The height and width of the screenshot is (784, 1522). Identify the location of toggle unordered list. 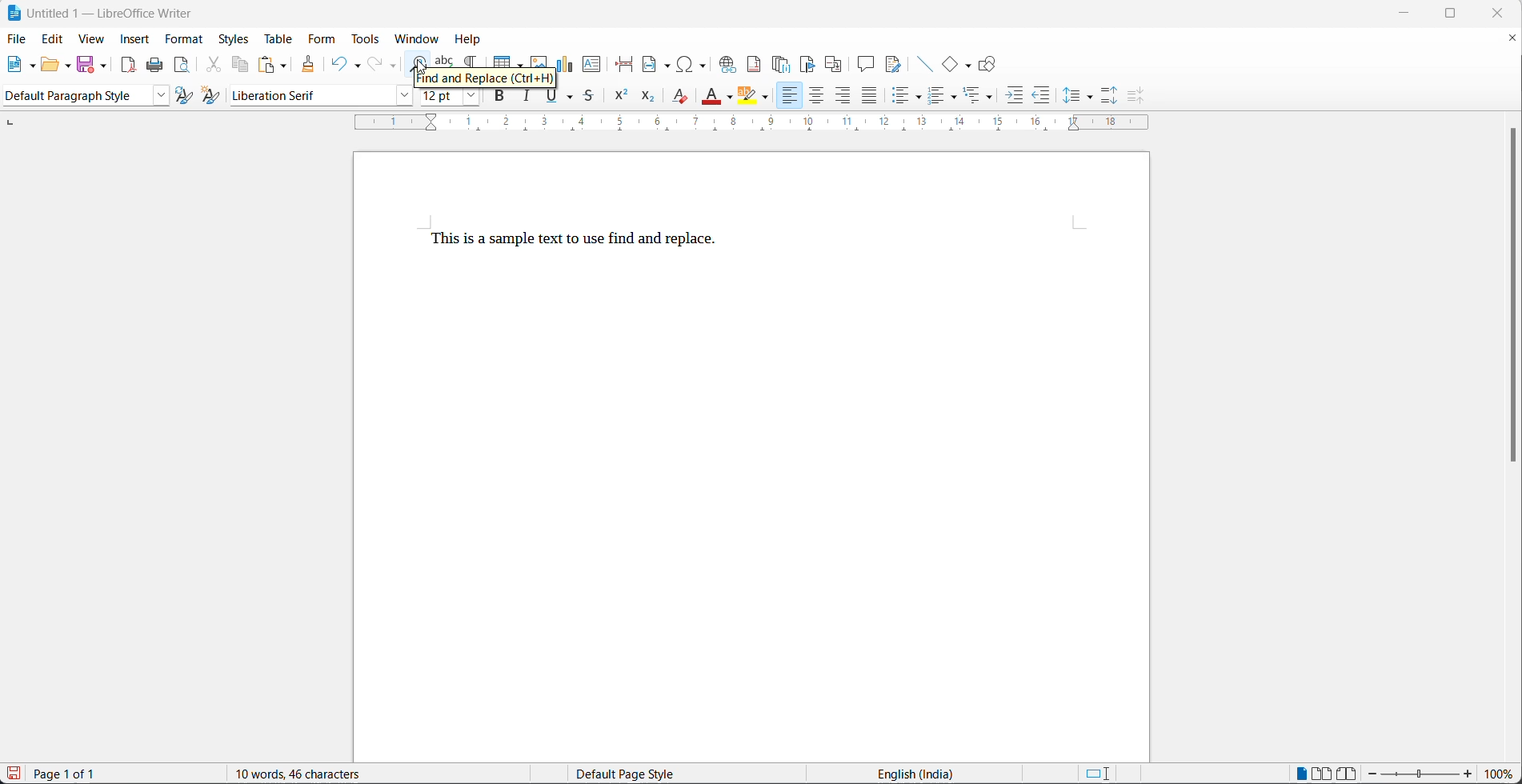
(904, 98).